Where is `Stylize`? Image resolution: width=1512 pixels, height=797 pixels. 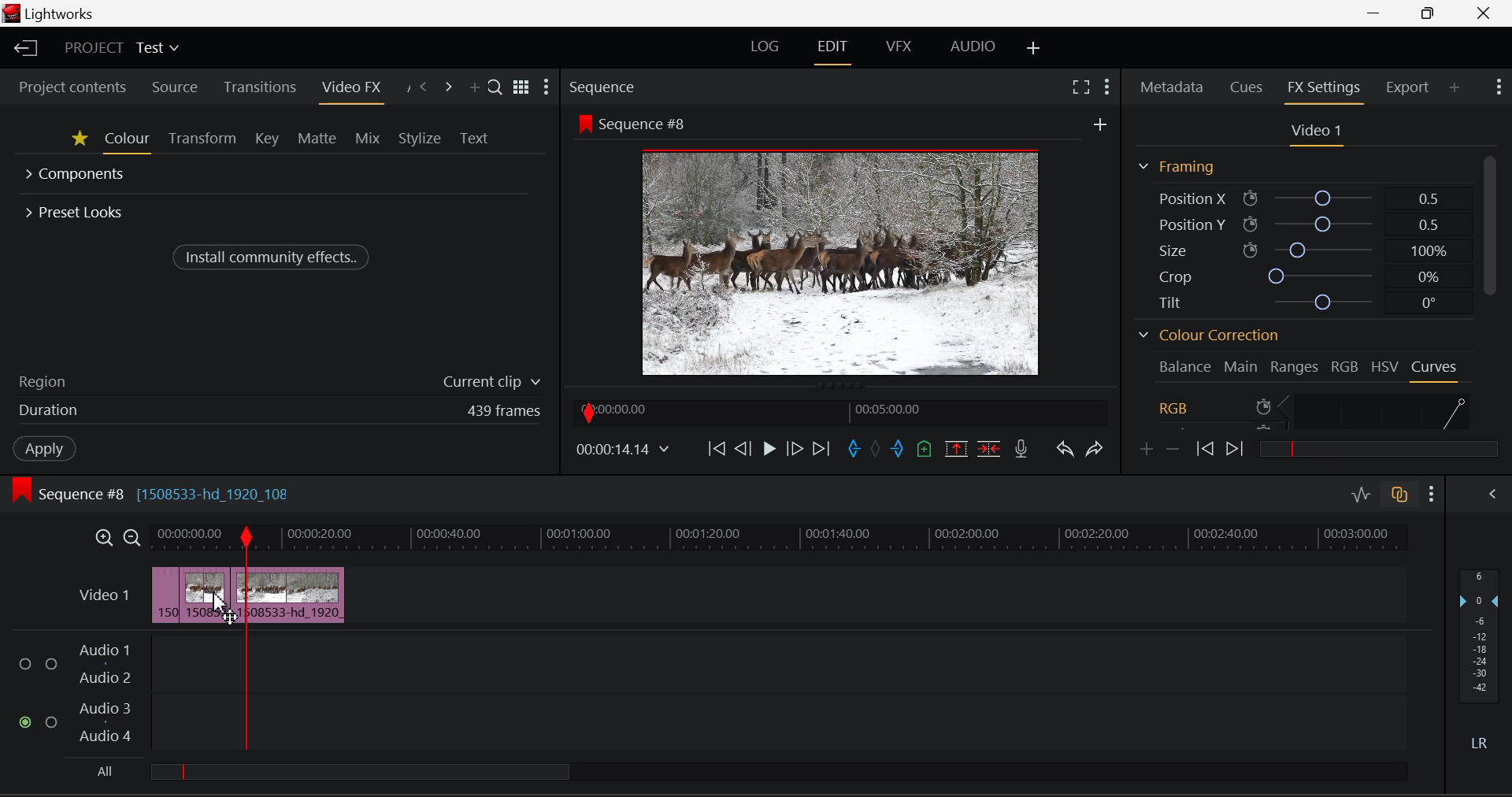
Stylize is located at coordinates (419, 137).